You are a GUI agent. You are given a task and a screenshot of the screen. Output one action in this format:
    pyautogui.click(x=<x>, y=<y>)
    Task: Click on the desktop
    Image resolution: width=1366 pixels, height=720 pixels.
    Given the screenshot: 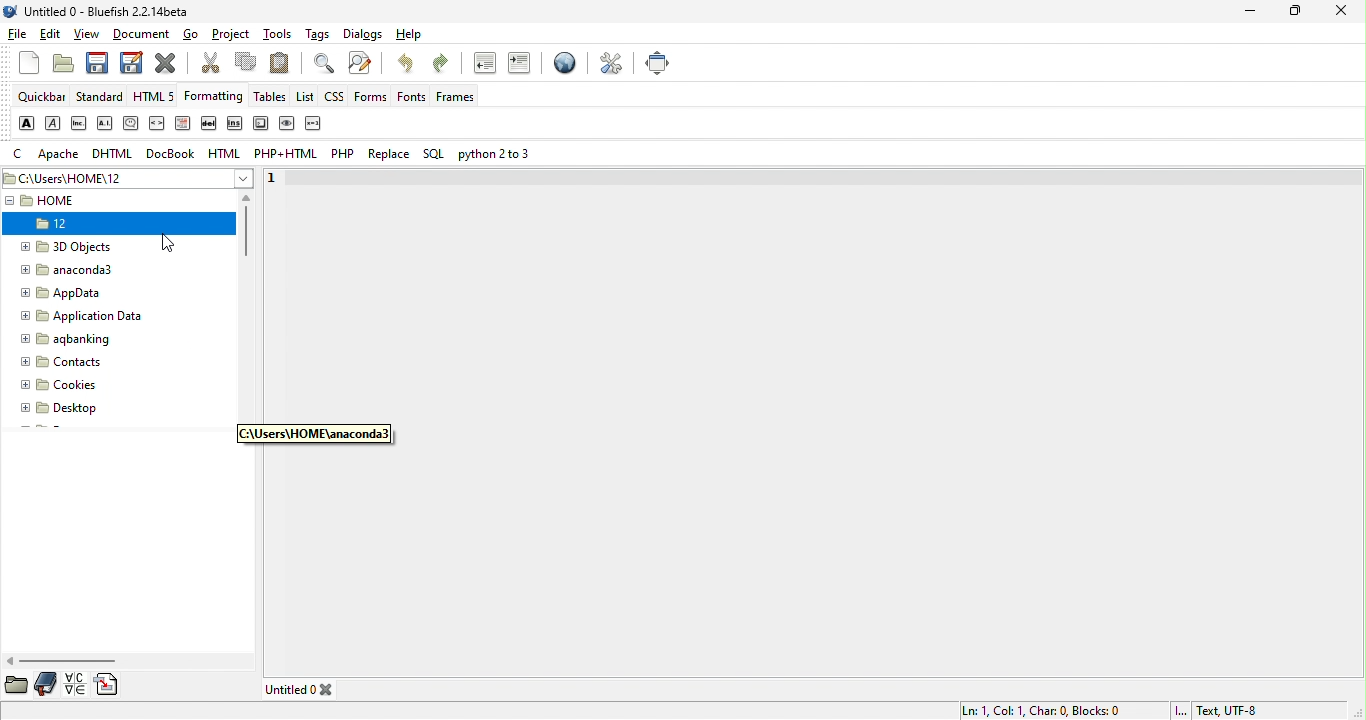 What is the action you would take?
    pyautogui.click(x=66, y=407)
    